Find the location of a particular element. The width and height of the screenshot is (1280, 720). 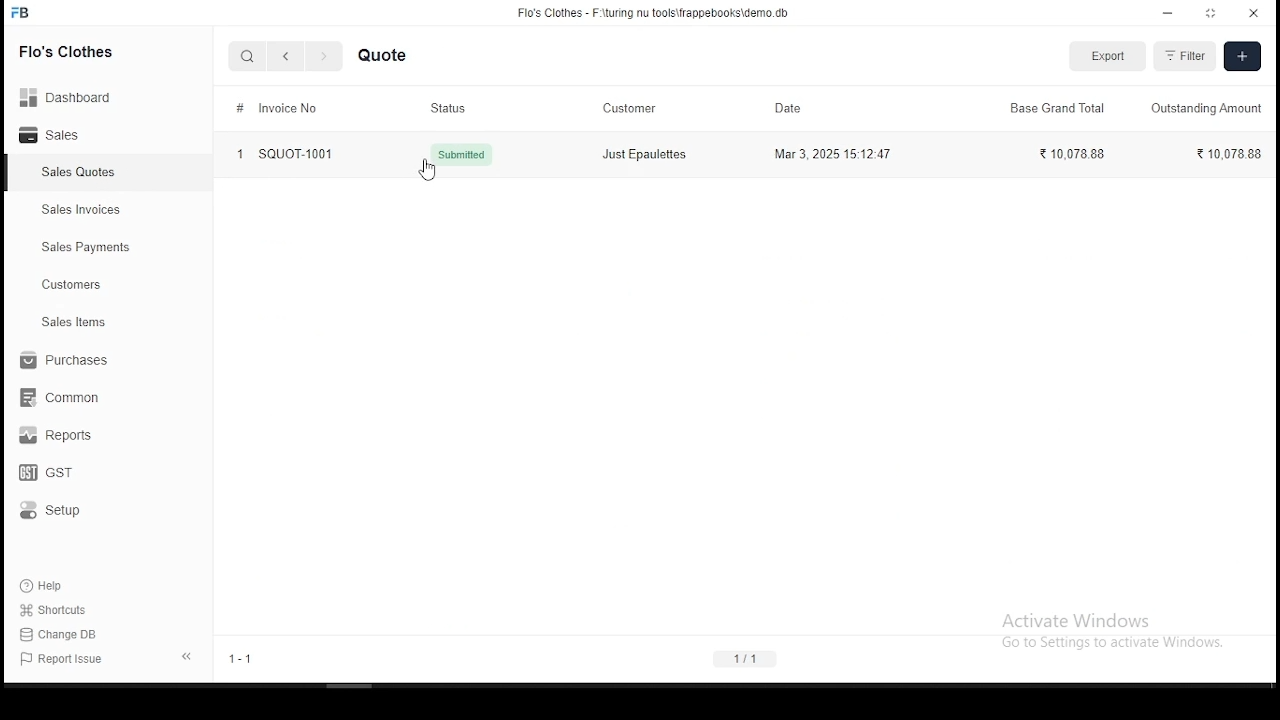

customer is located at coordinates (625, 106).